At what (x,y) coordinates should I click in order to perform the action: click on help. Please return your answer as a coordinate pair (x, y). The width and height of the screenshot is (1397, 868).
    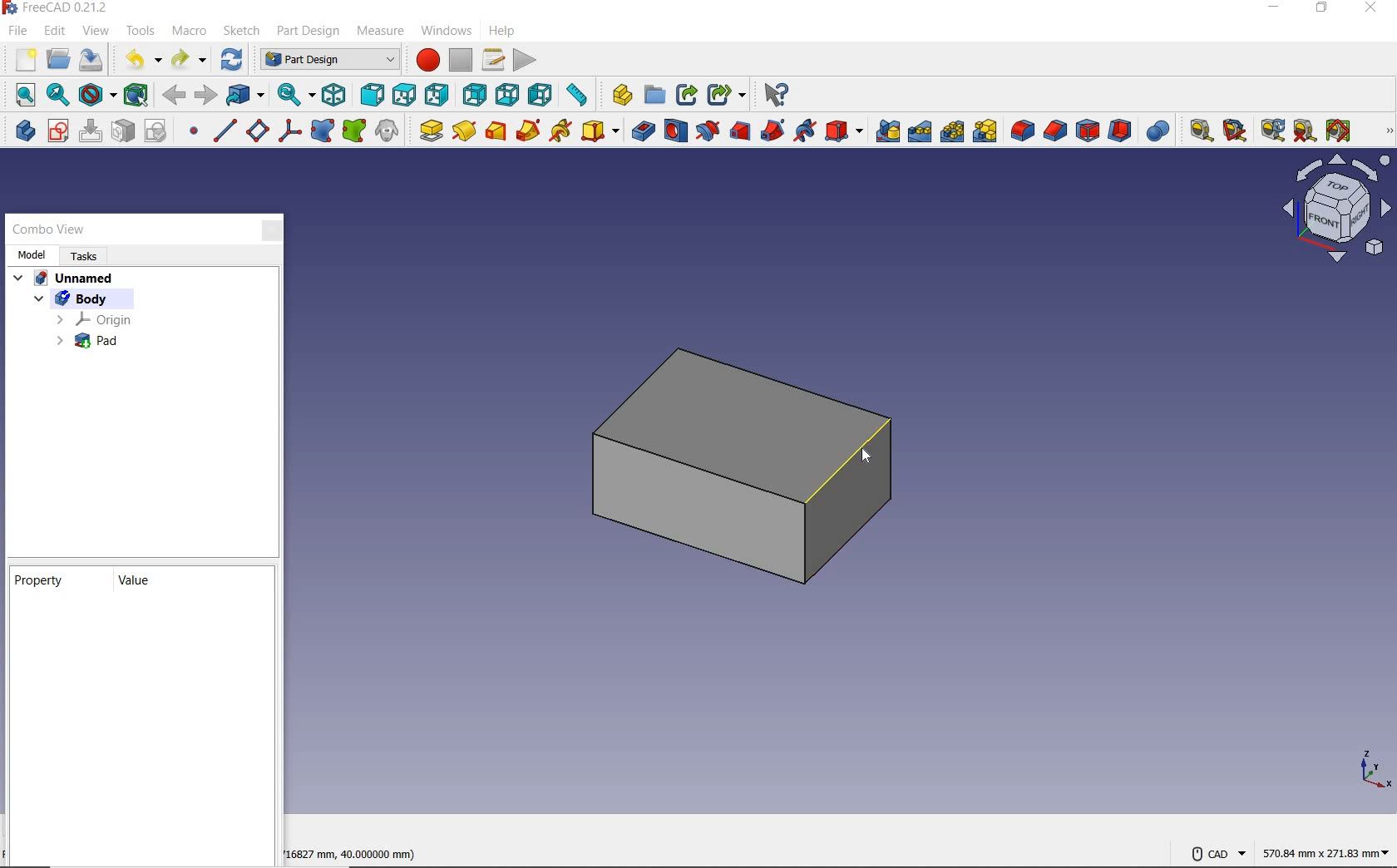
    Looking at the image, I should click on (501, 32).